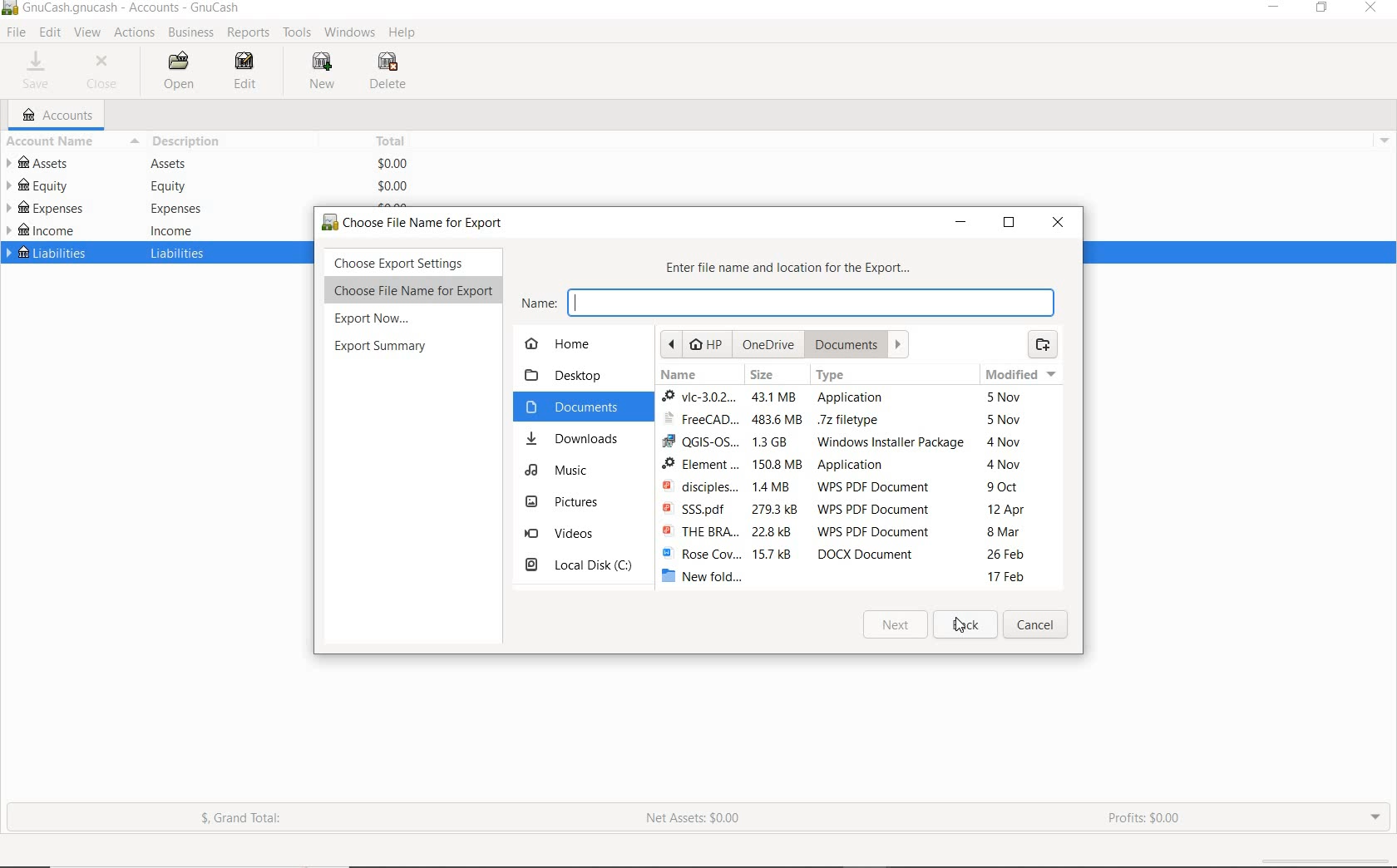  What do you see at coordinates (888, 470) in the screenshot?
I see `type` at bounding box center [888, 470].